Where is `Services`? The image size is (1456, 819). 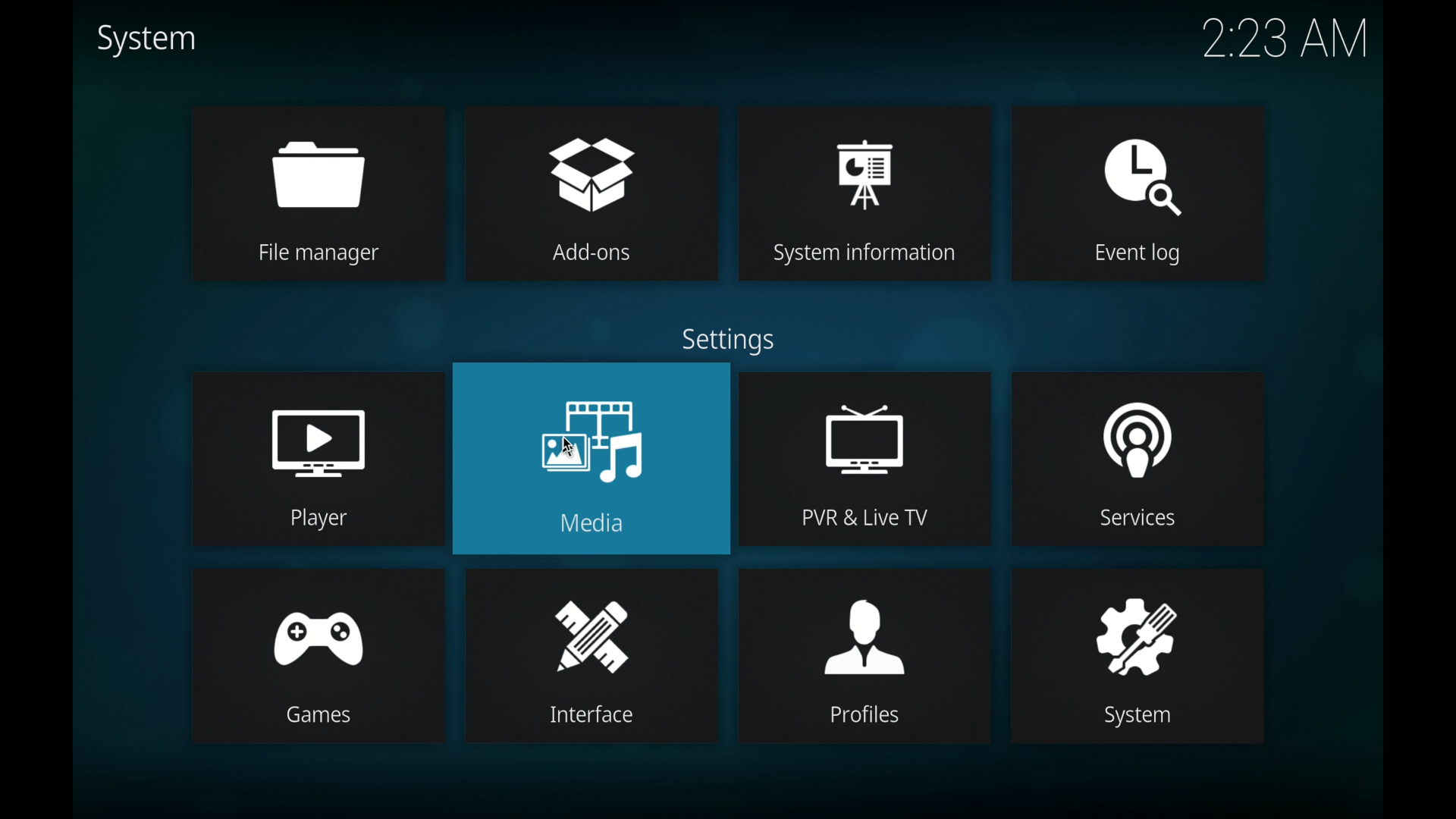 Services is located at coordinates (1150, 522).